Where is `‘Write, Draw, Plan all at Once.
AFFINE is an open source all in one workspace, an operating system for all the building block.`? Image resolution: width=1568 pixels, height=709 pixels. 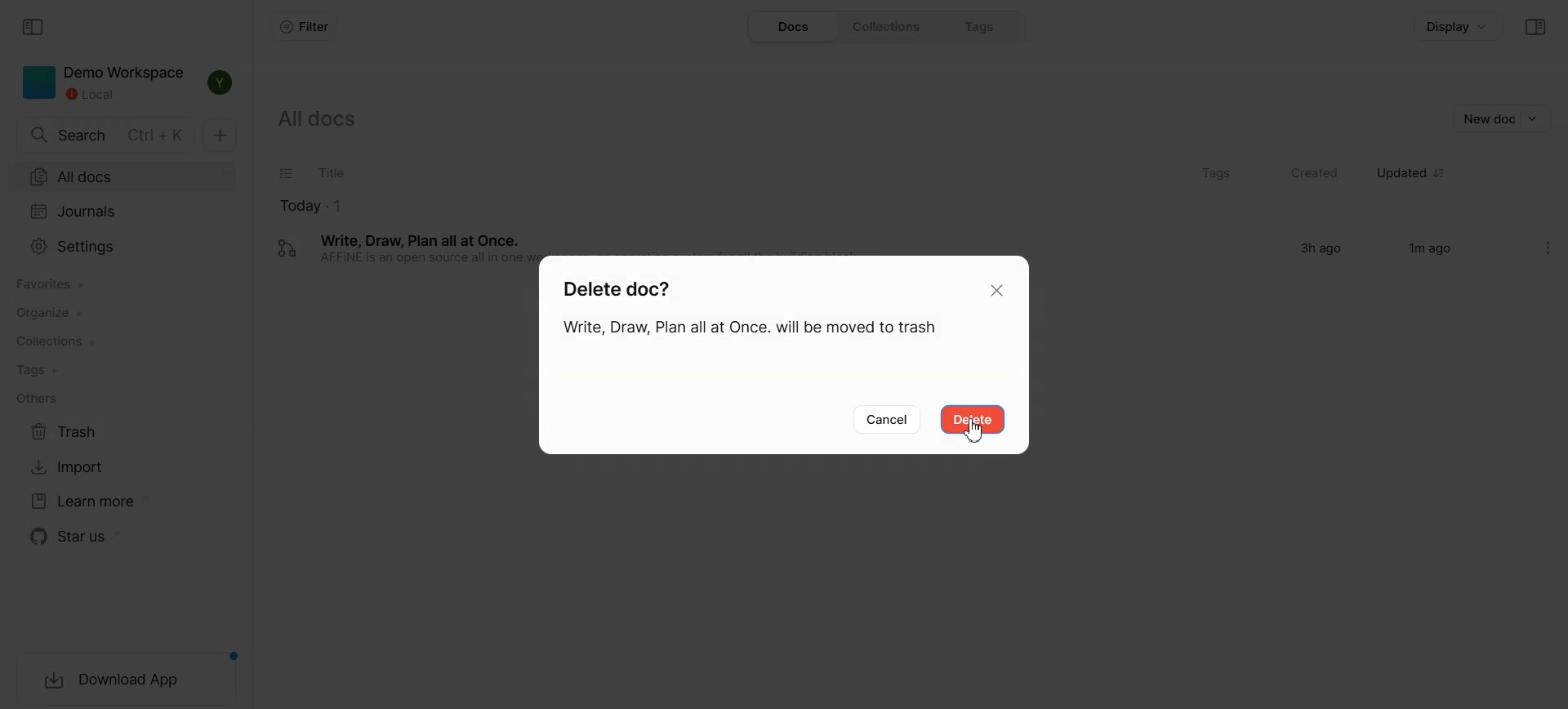 ‘Write, Draw, Plan all at Once.
AFFINE is an open source all in one workspace, an operating system for all the building block. is located at coordinates (449, 247).